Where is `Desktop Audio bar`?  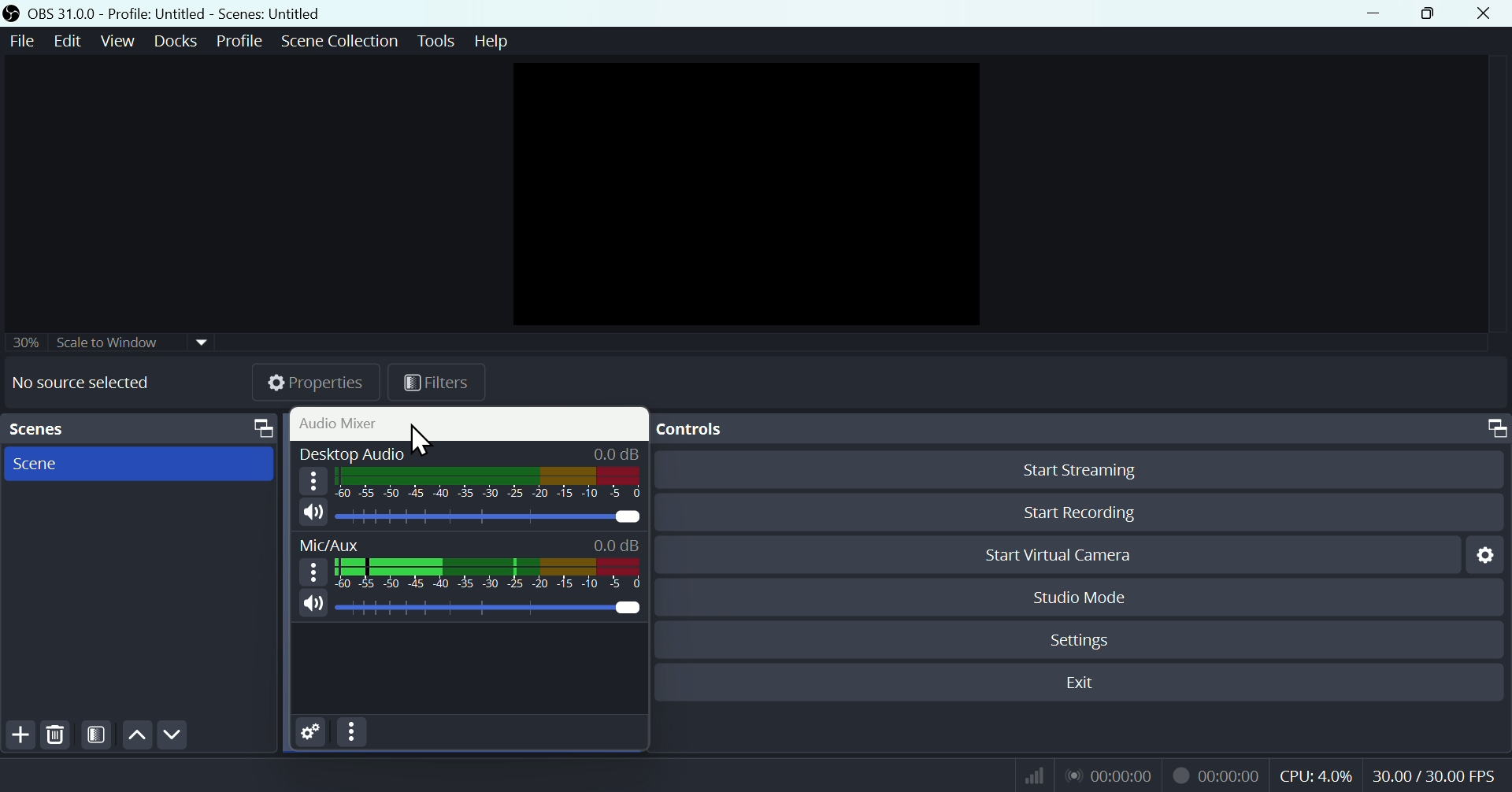 Desktop Audio bar is located at coordinates (486, 482).